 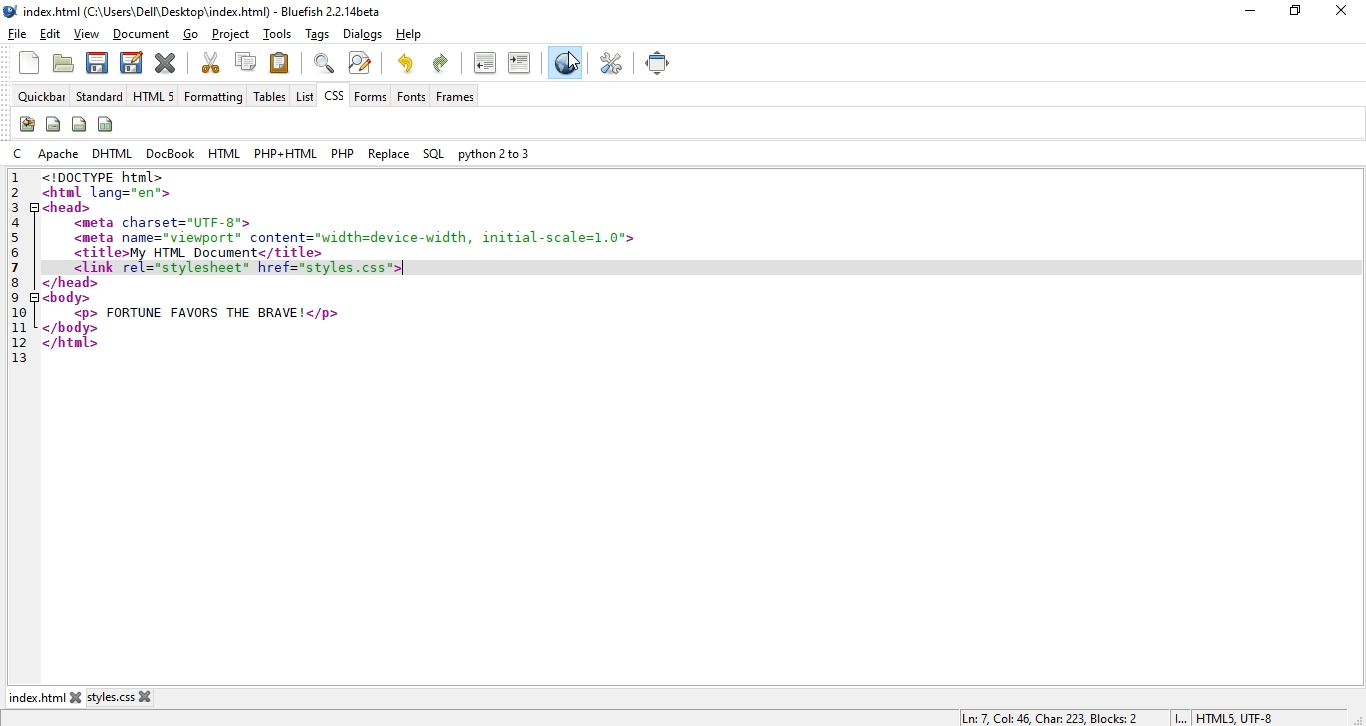 I want to click on tables, so click(x=269, y=97).